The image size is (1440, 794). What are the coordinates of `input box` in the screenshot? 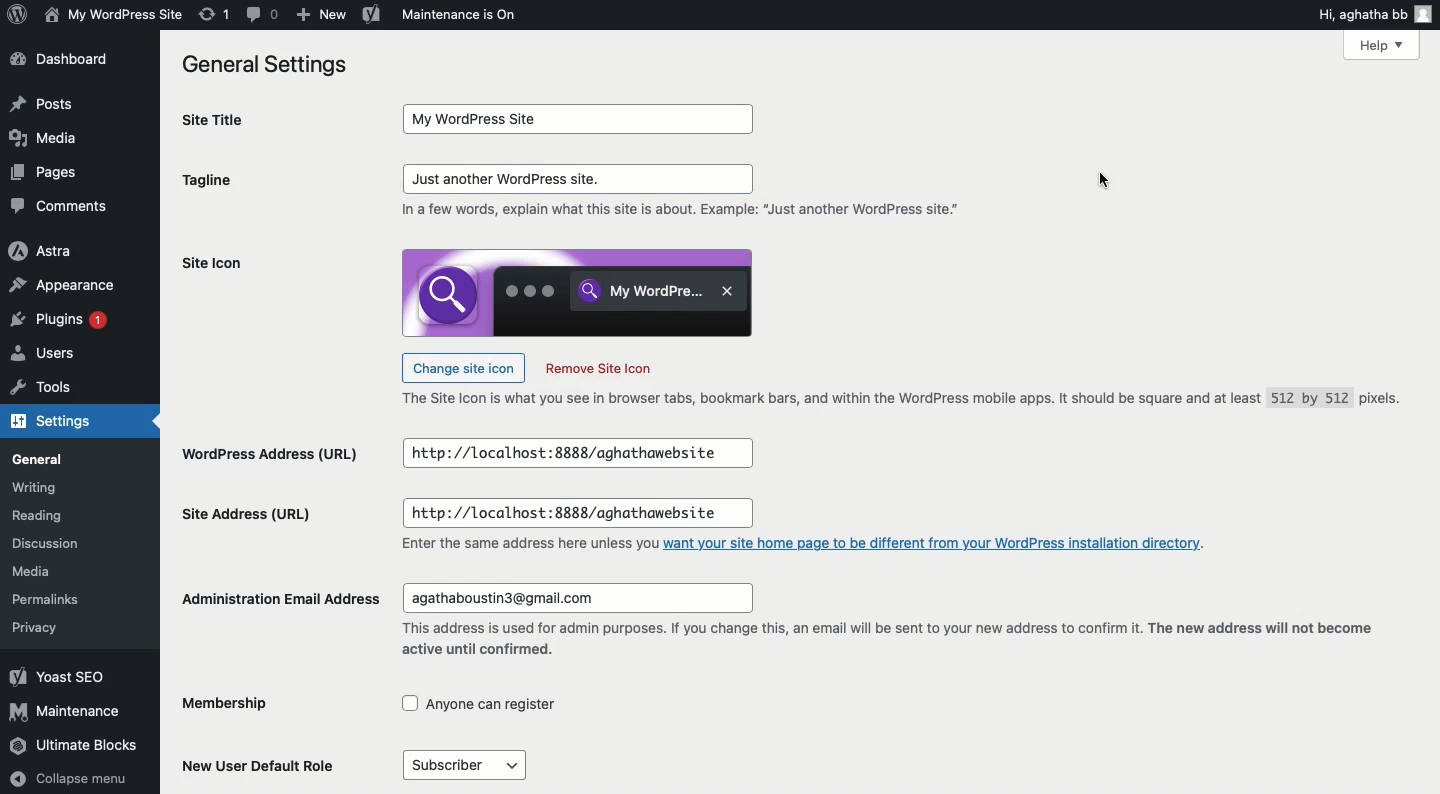 It's located at (581, 119).